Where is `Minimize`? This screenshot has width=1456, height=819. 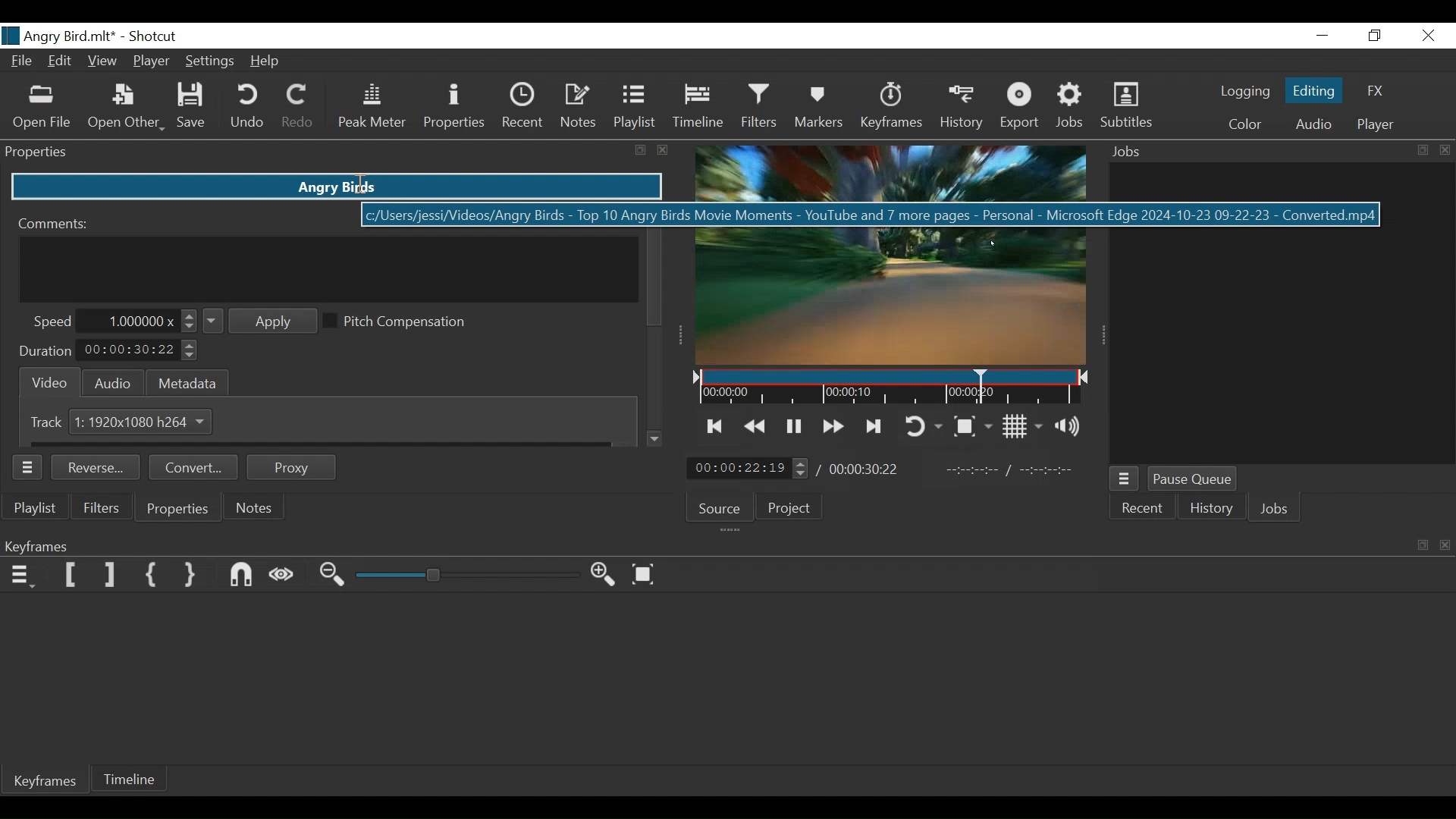 Minimize is located at coordinates (1322, 35).